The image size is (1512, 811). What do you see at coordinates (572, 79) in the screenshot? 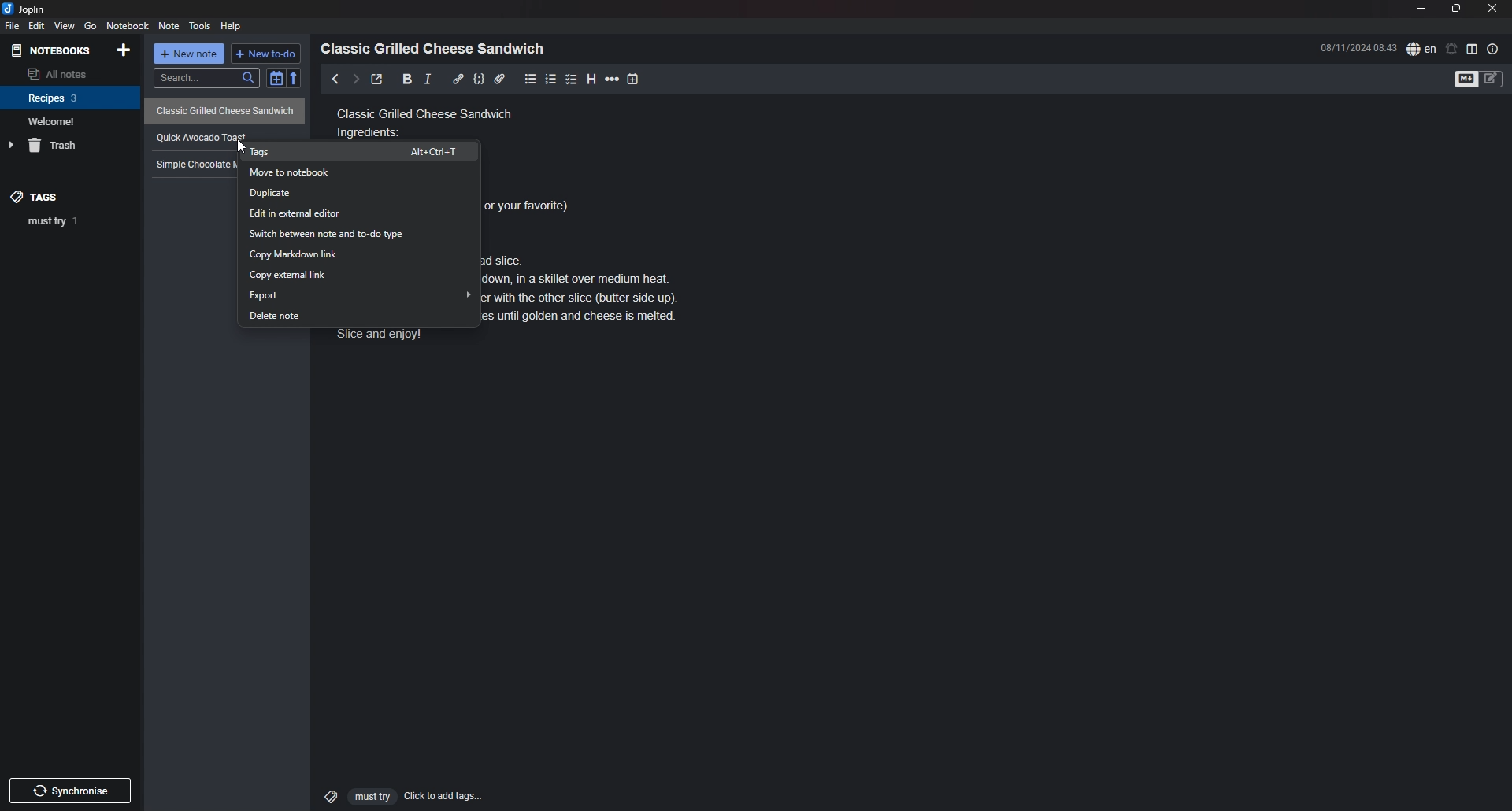
I see `checkbox` at bounding box center [572, 79].